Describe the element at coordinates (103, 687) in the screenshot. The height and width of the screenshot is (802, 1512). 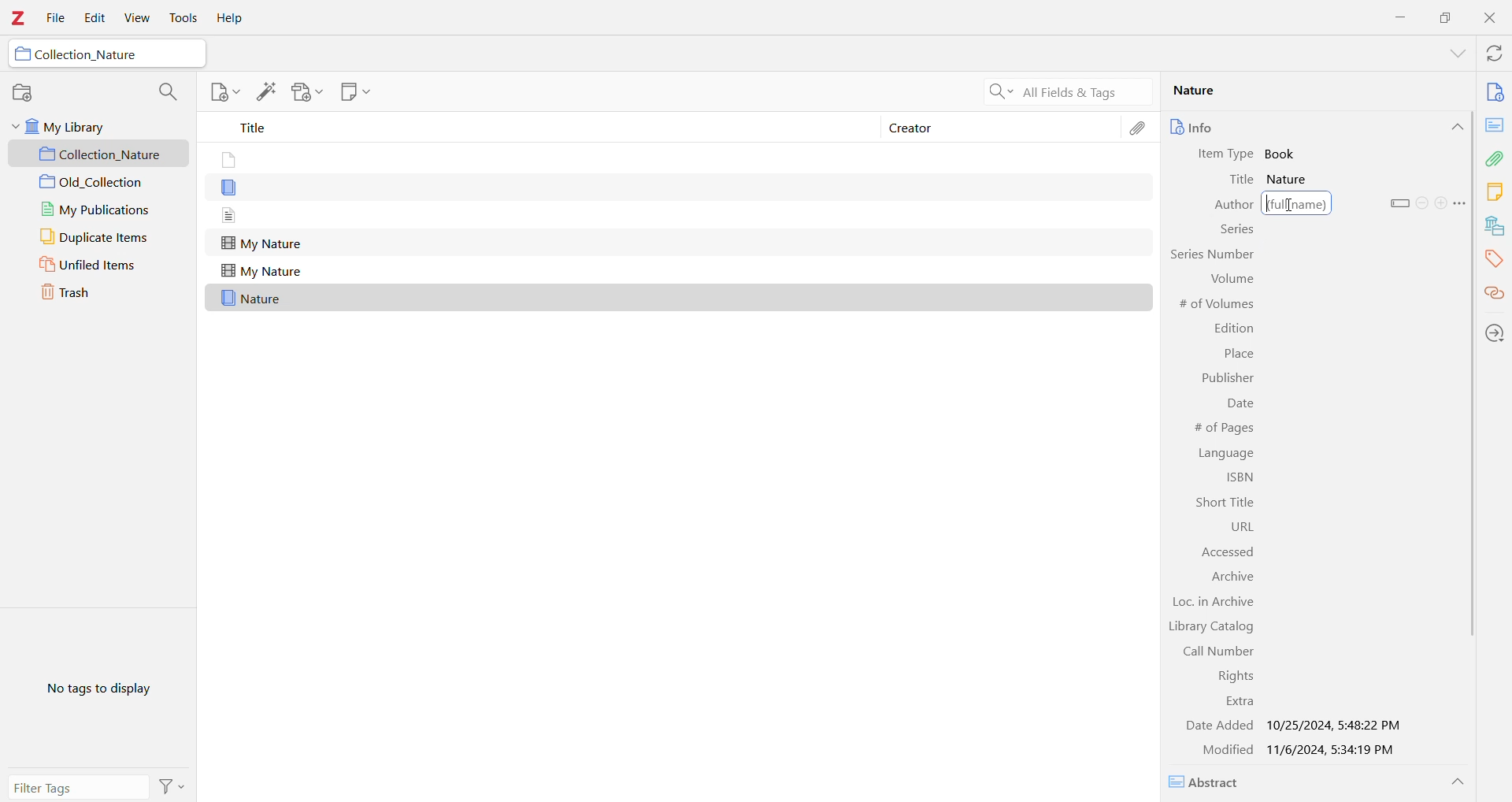
I see `No tags to display` at that location.